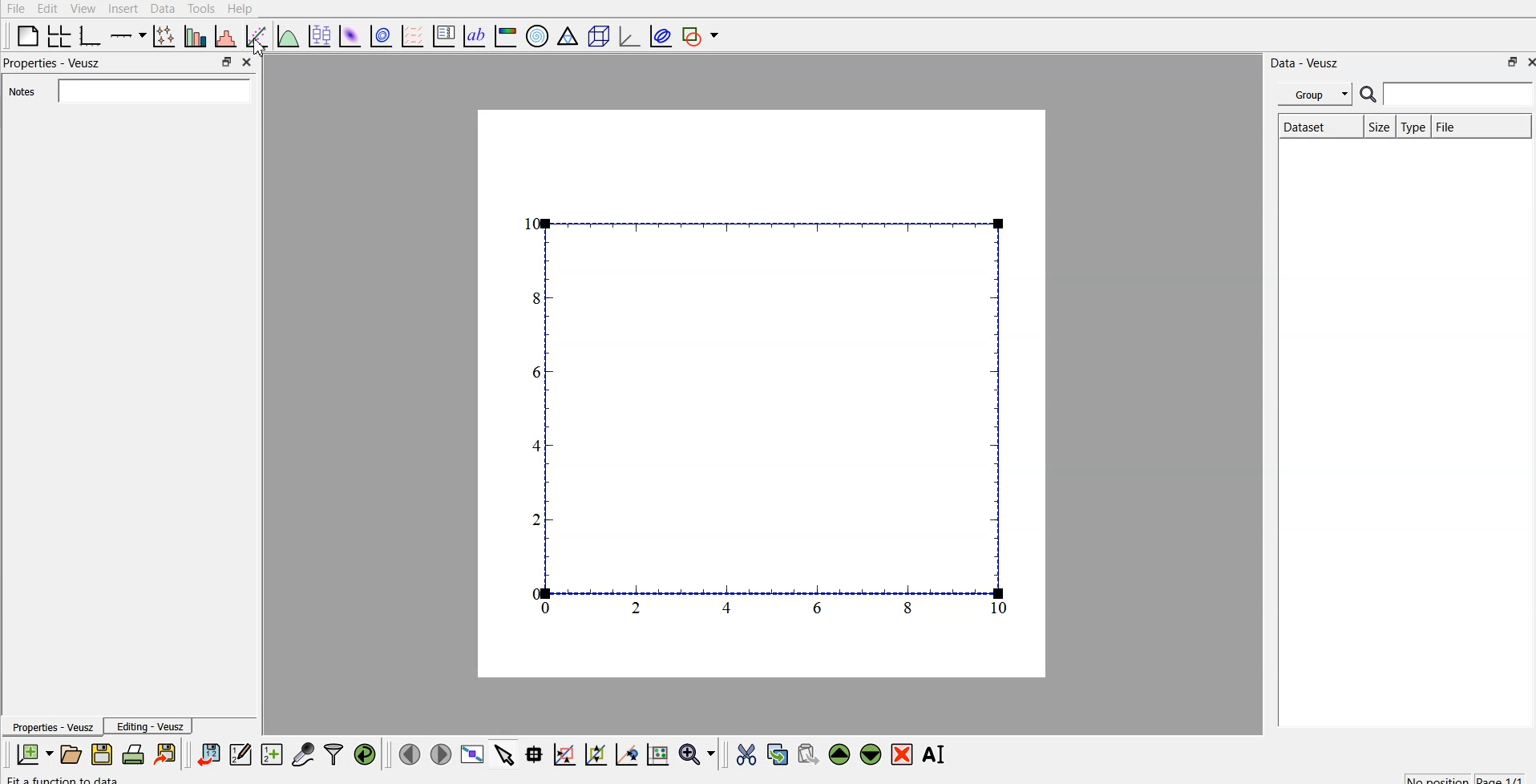 The height and width of the screenshot is (784, 1536). What do you see at coordinates (134, 755) in the screenshot?
I see `print` at bounding box center [134, 755].